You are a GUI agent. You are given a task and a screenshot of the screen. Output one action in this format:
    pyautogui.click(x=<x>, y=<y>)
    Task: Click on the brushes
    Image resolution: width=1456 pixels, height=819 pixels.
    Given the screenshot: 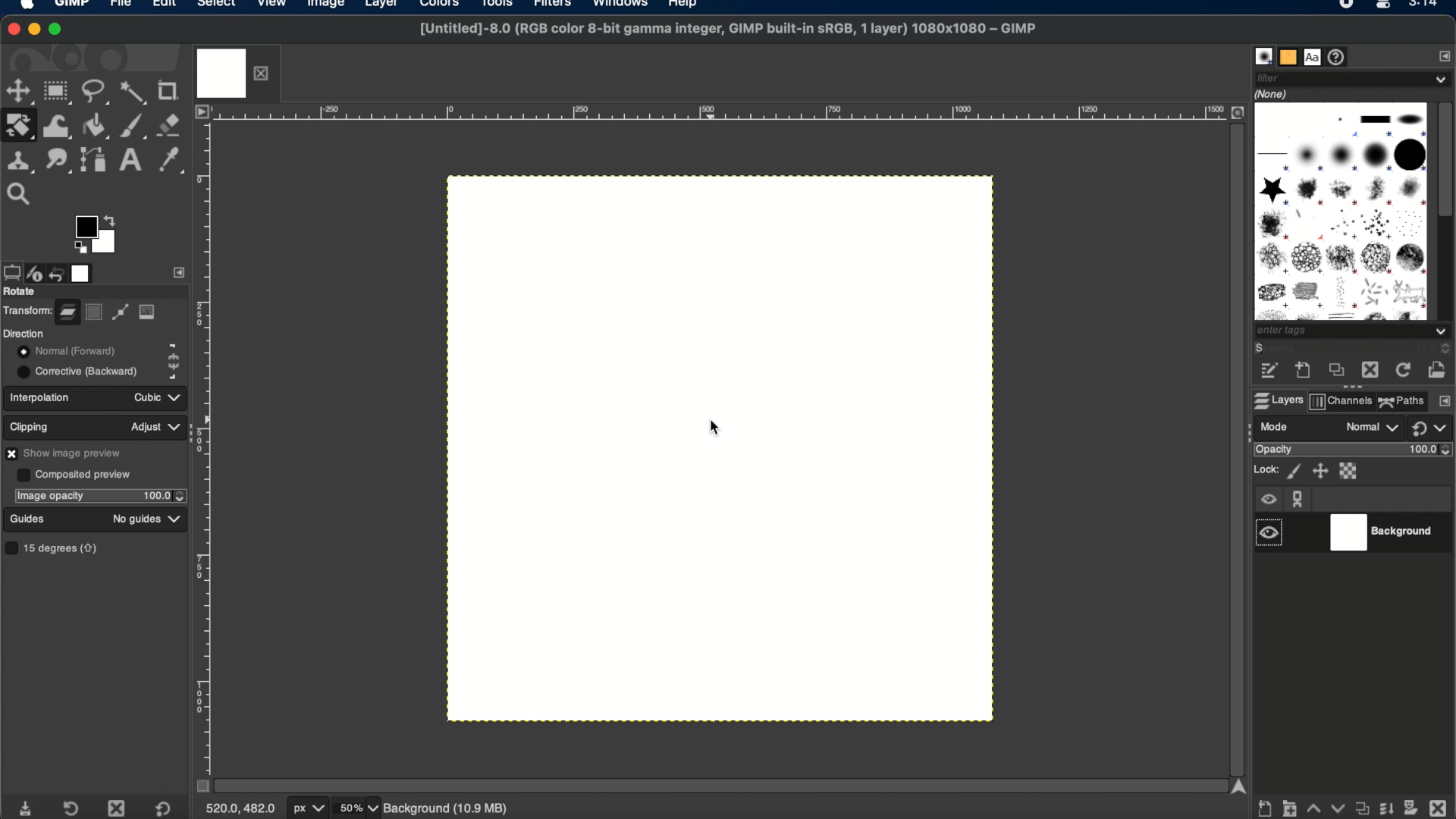 What is the action you would take?
    pyautogui.click(x=1263, y=56)
    